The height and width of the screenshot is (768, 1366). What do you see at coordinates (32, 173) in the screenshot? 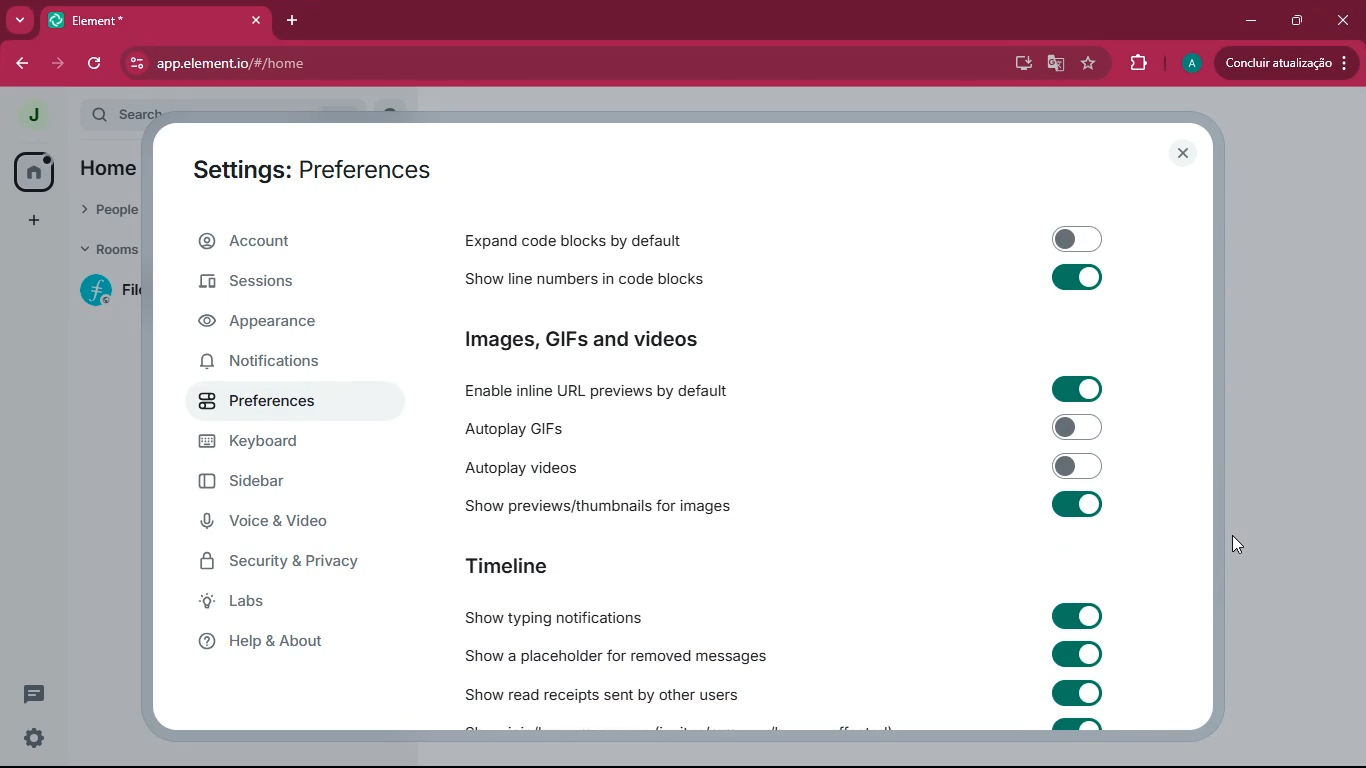
I see `home` at bounding box center [32, 173].